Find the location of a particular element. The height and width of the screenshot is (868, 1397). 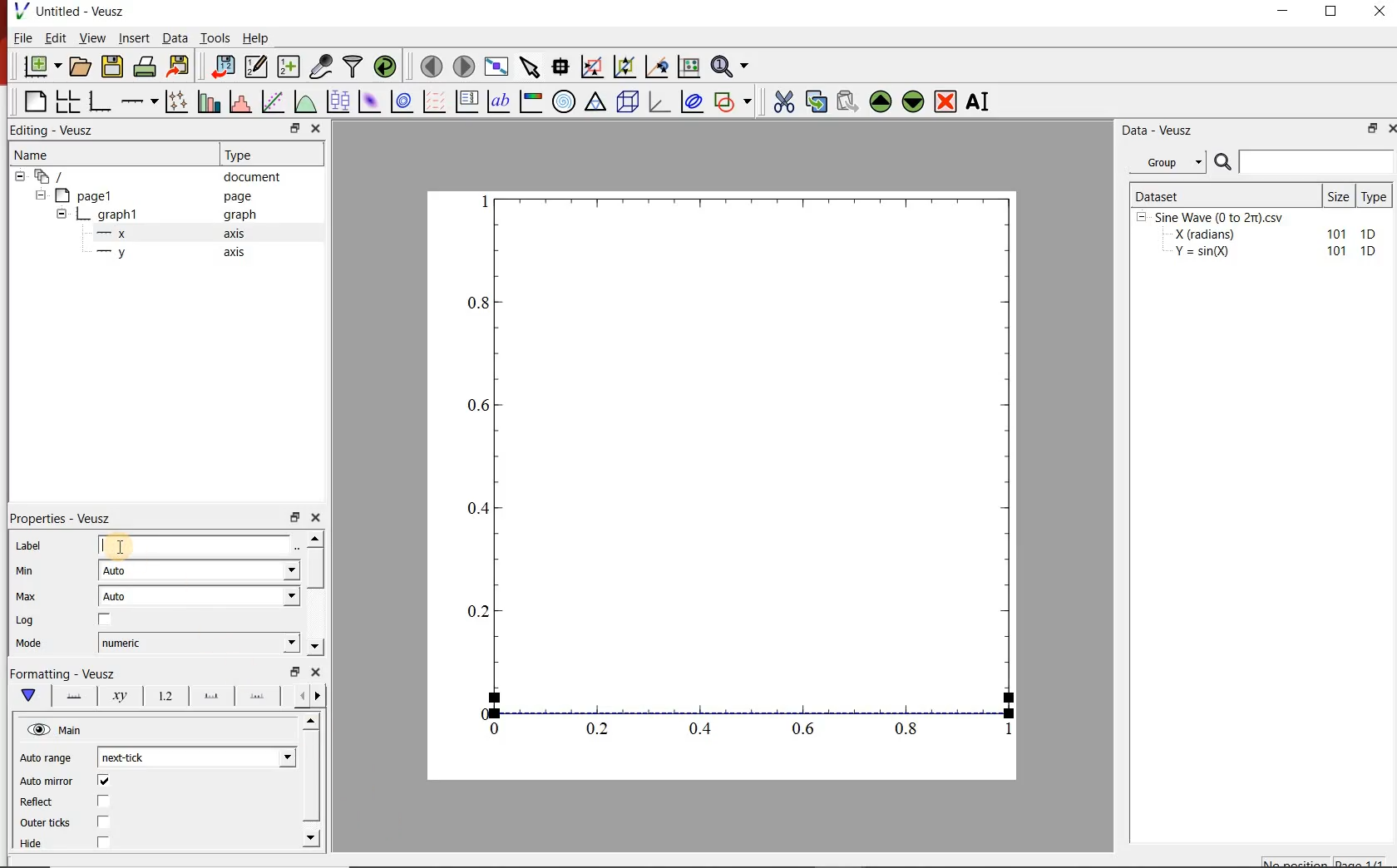

Type is located at coordinates (243, 153).